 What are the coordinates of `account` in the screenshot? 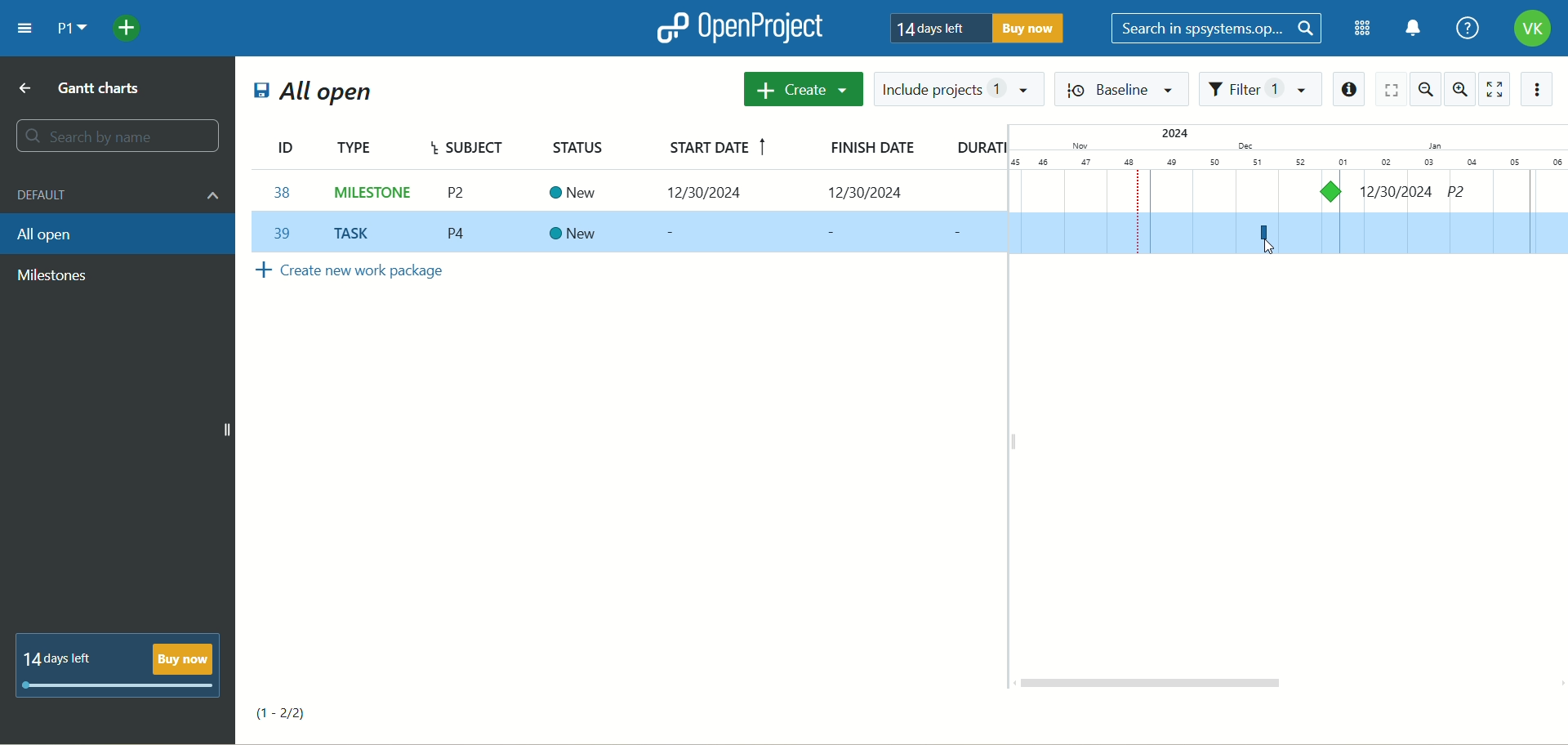 It's located at (1533, 29).